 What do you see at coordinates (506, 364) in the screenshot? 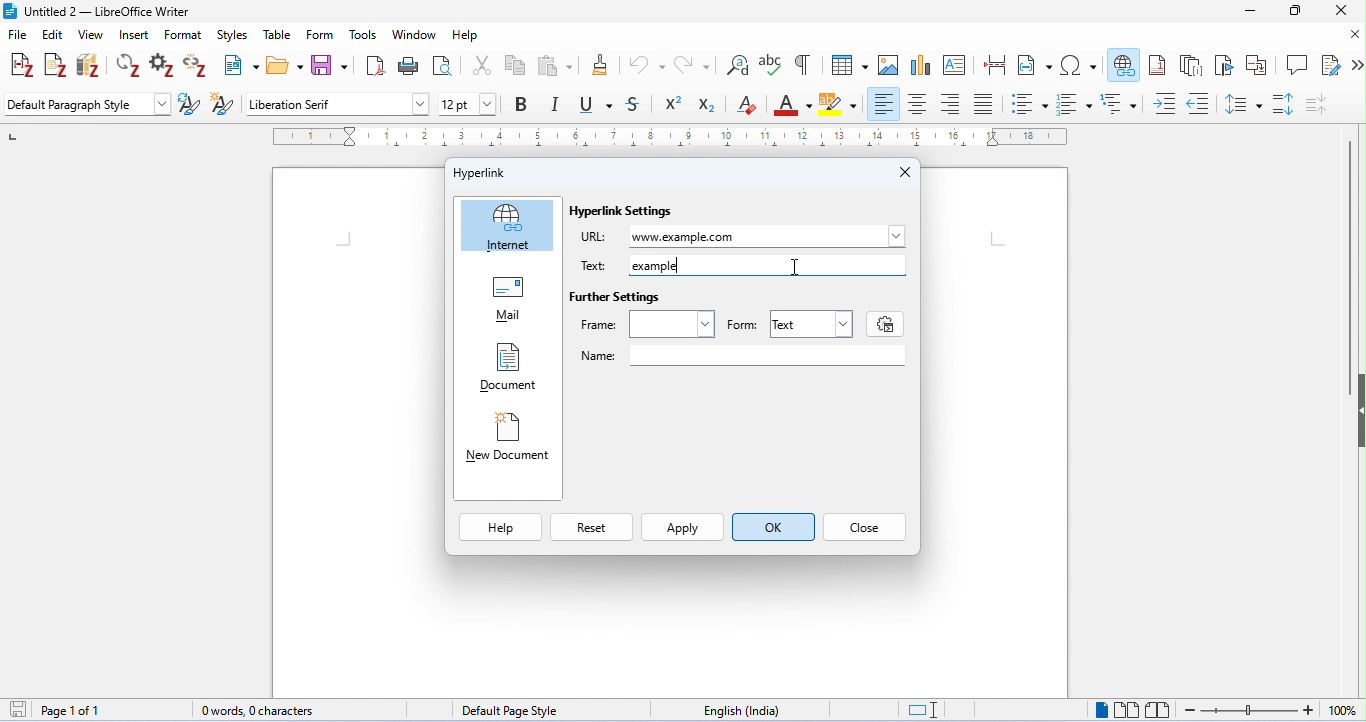
I see `Document` at bounding box center [506, 364].